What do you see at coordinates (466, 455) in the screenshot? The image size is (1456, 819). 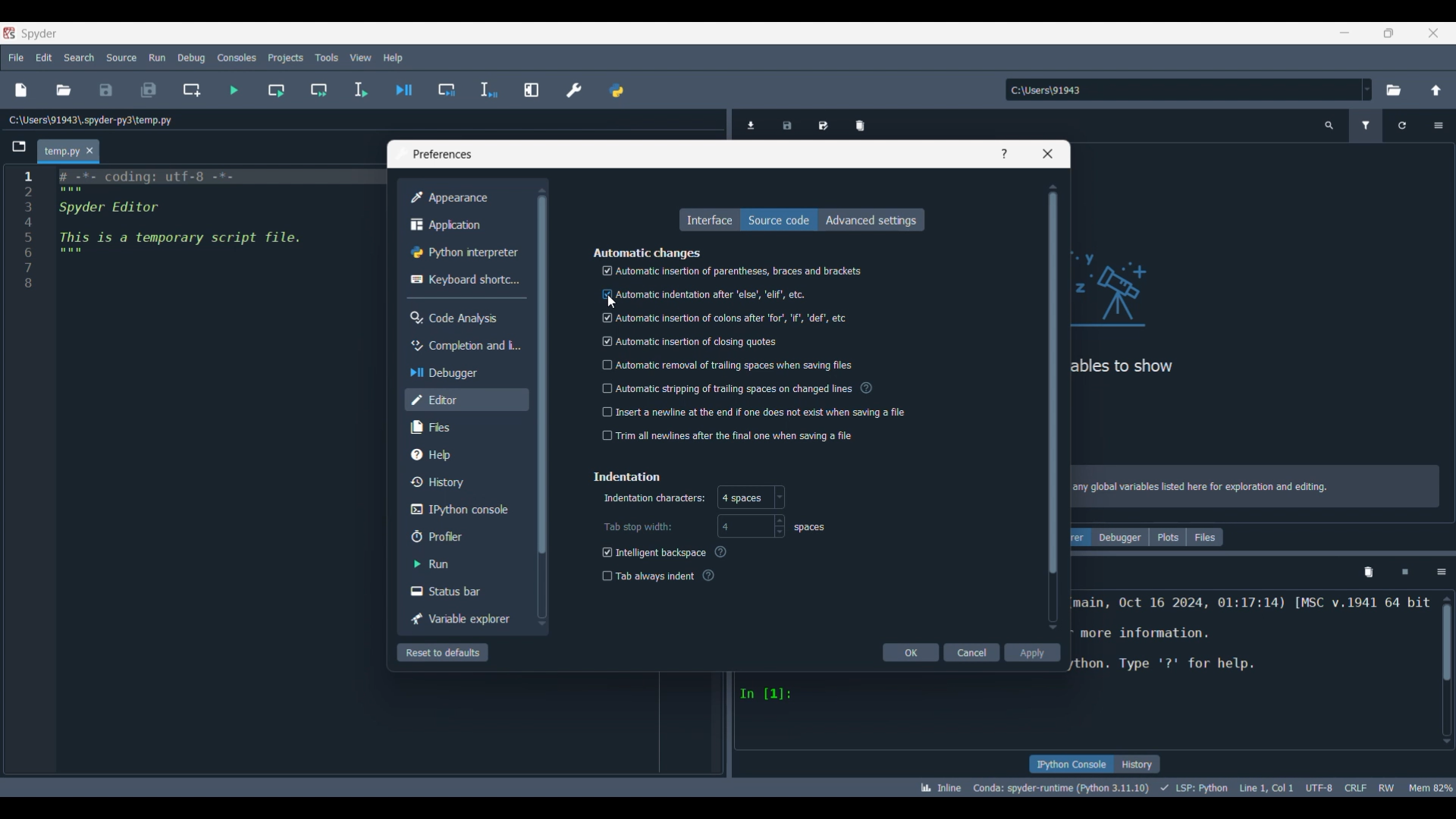 I see `Help` at bounding box center [466, 455].